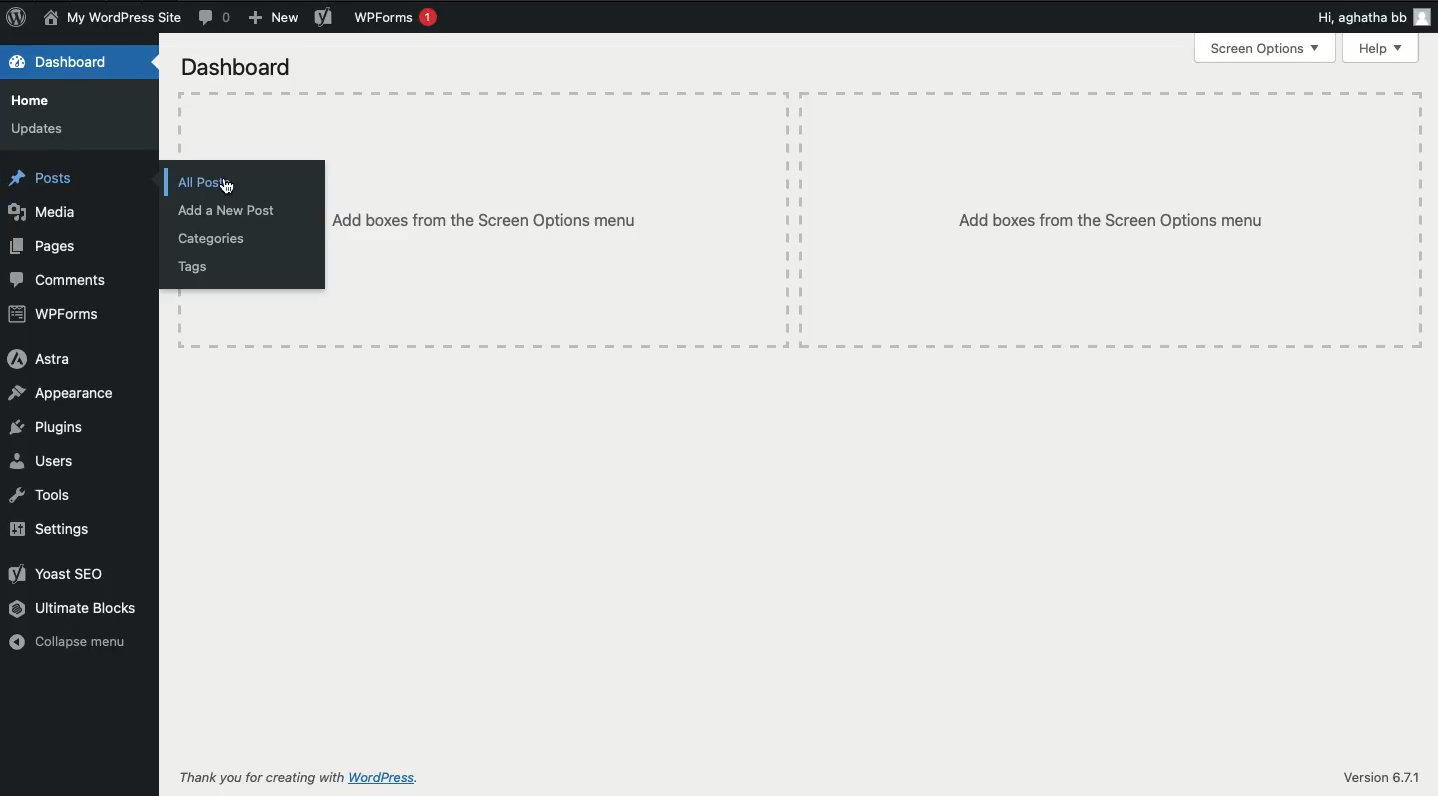  What do you see at coordinates (302, 780) in the screenshot?
I see `Thank you for creating with WordPress` at bounding box center [302, 780].